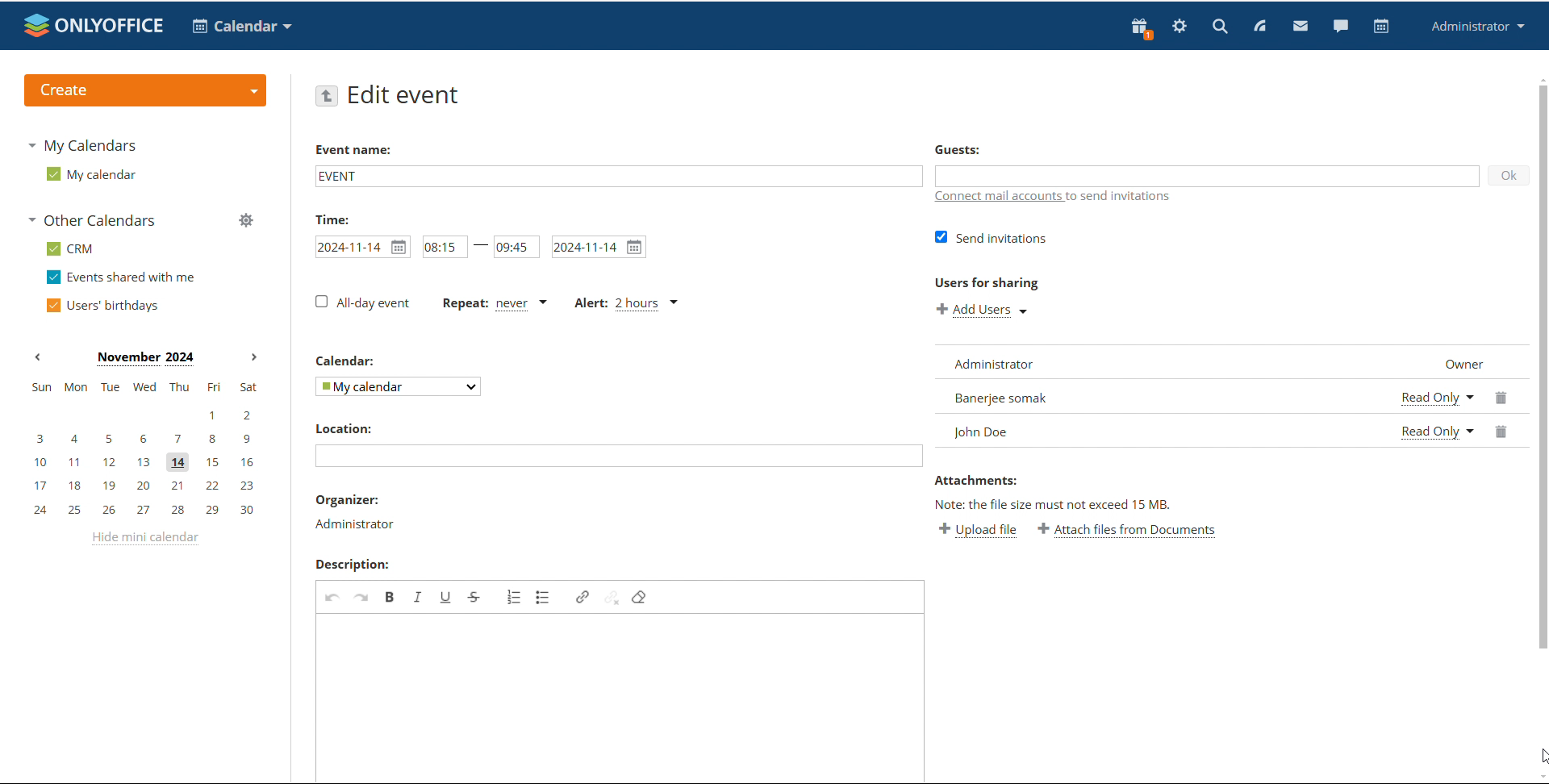  I want to click on list of users, so click(1160, 397).